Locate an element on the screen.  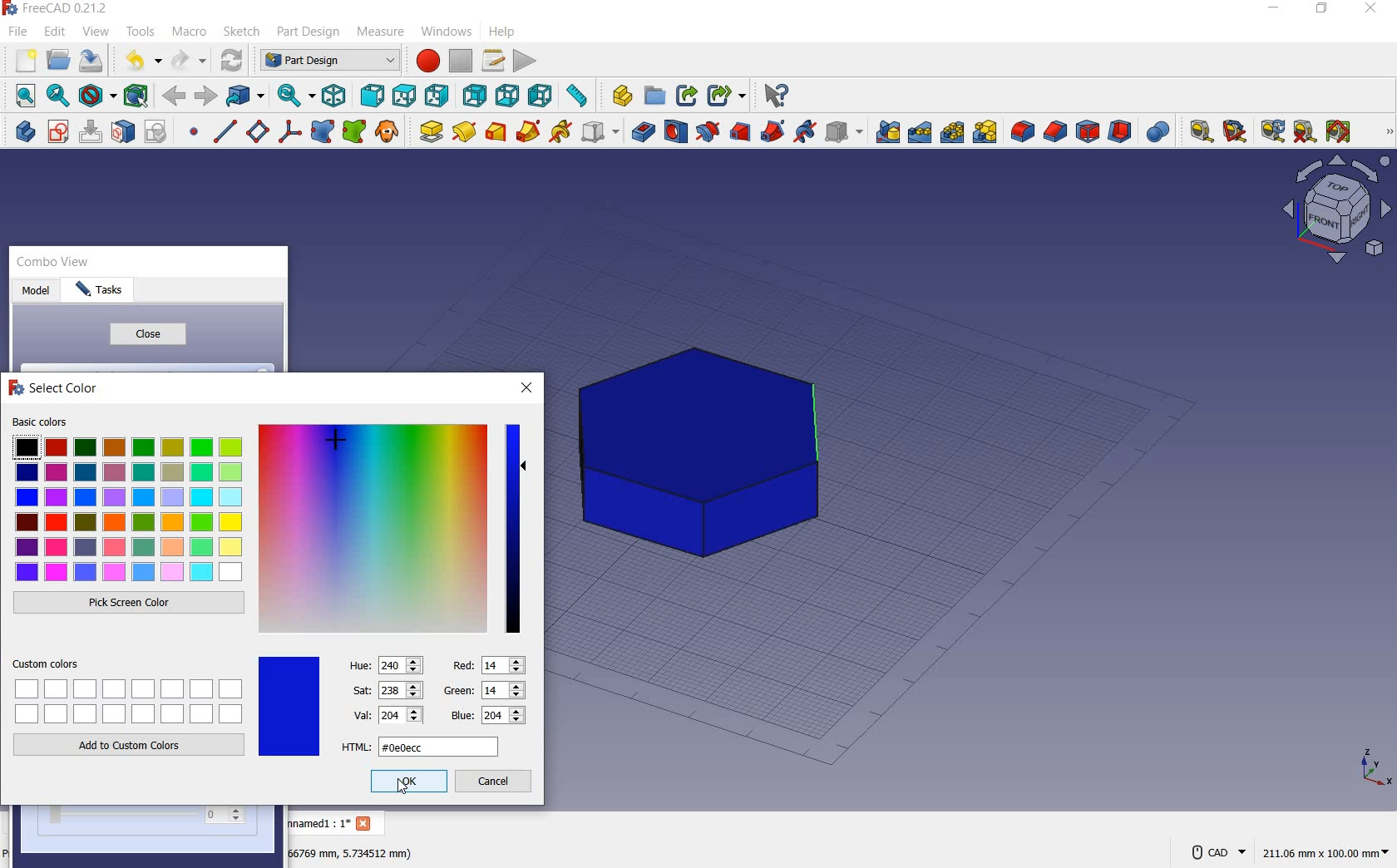
FreeCAD 0.21.2 (application details) is located at coordinates (57, 9).